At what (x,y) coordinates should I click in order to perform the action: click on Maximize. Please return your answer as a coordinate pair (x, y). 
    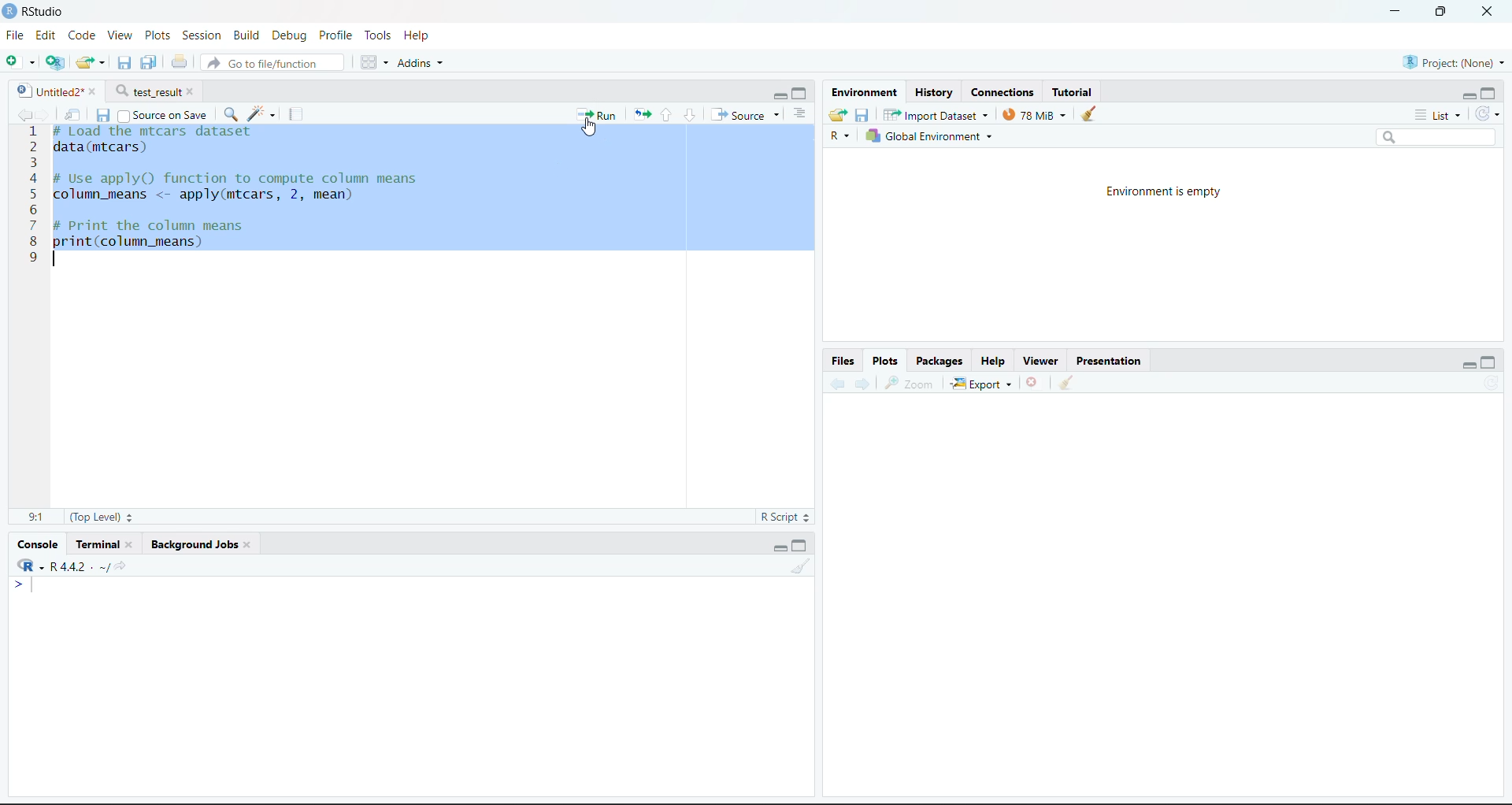
    Looking at the image, I should click on (801, 546).